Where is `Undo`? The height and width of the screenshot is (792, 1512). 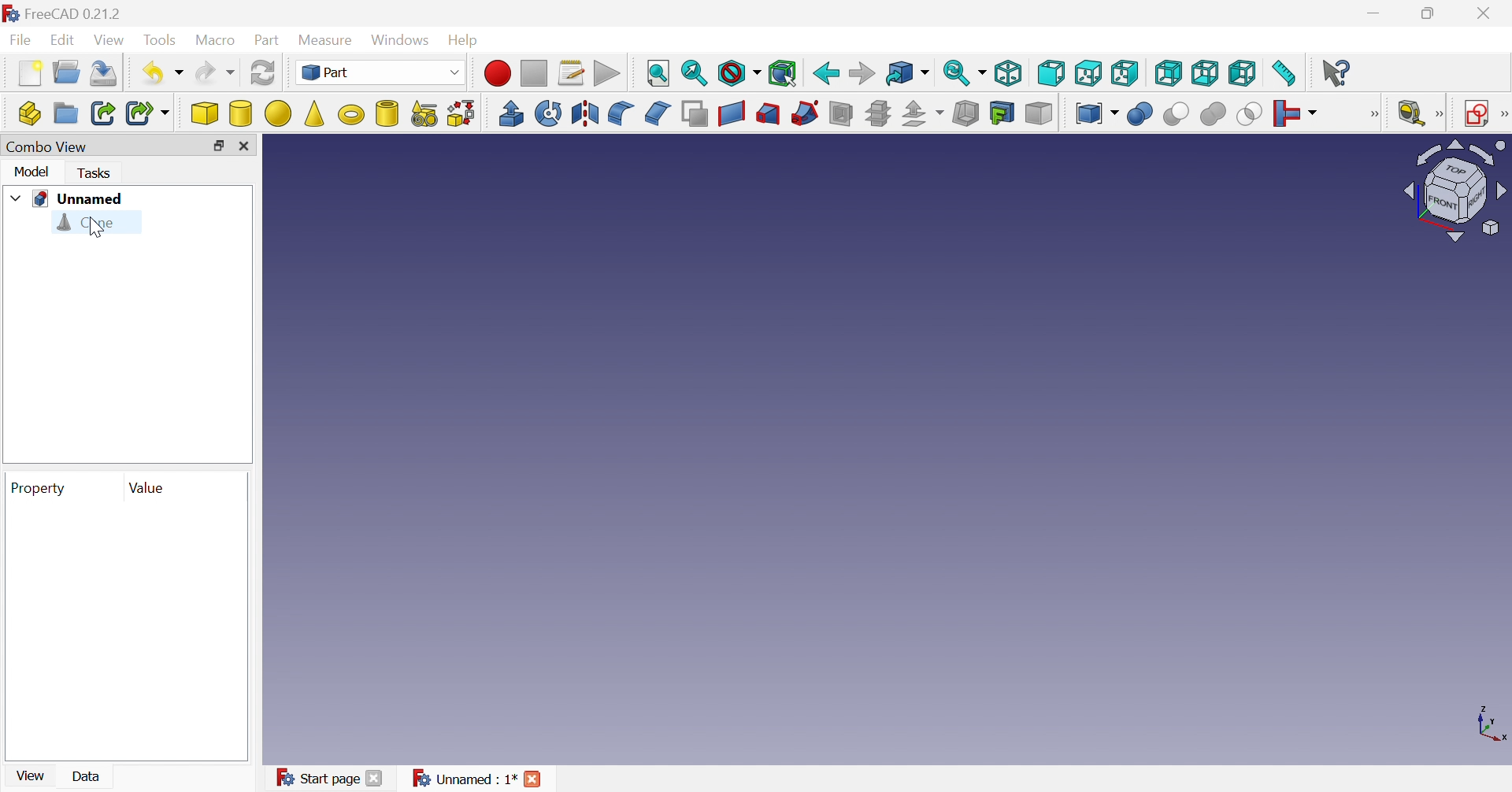 Undo is located at coordinates (162, 74).